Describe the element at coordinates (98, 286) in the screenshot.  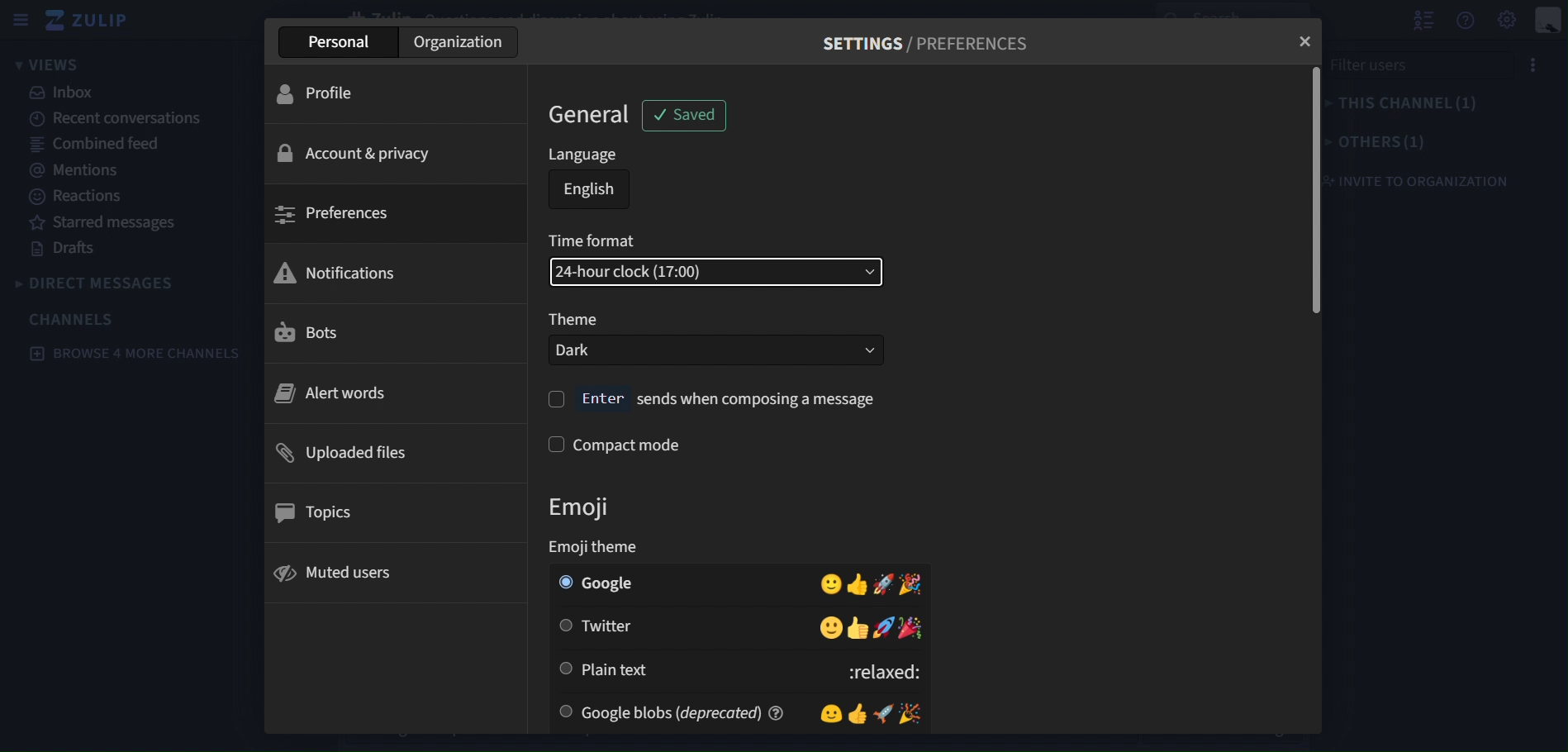
I see `direct messages` at that location.